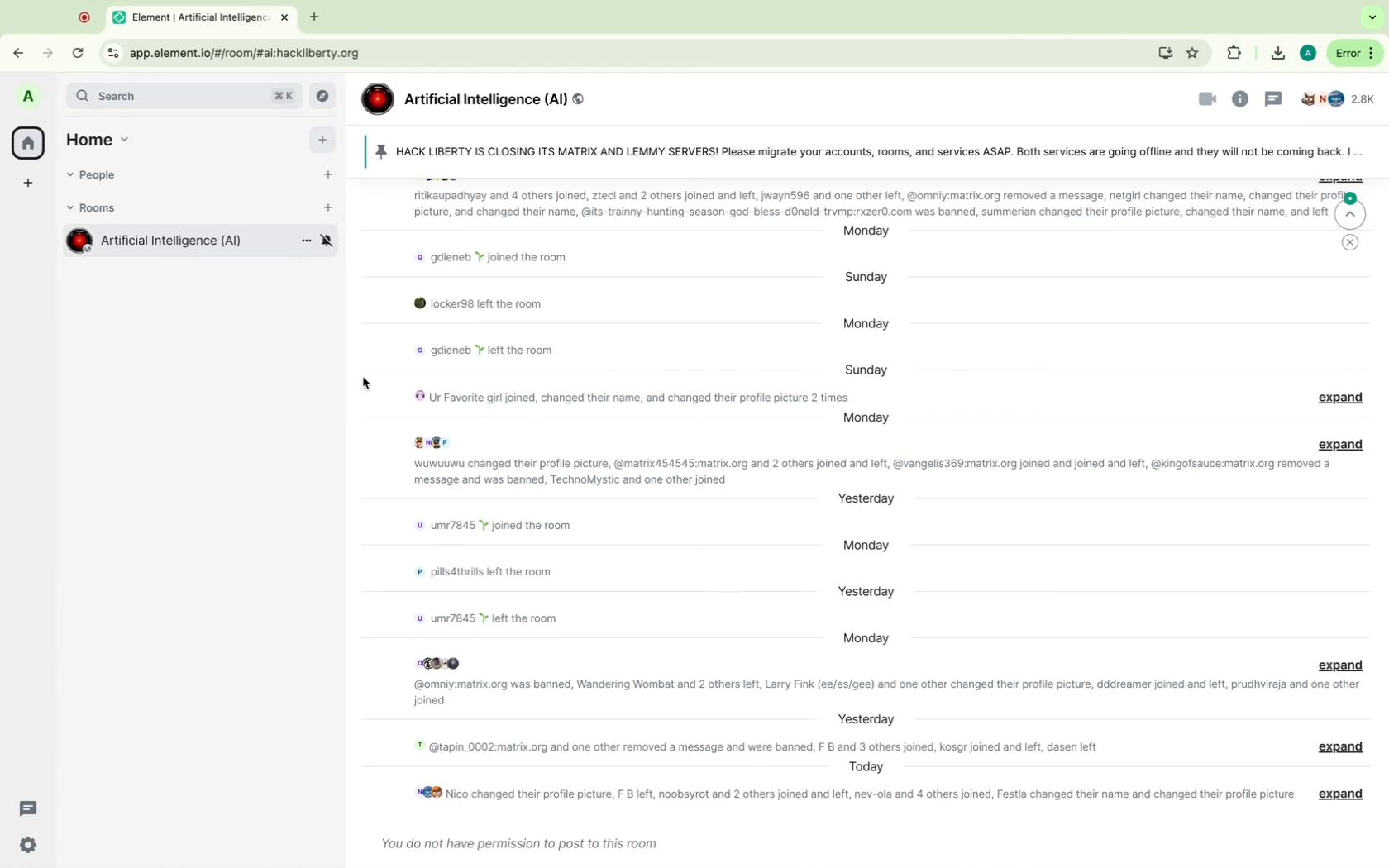 The width and height of the screenshot is (1389, 868). What do you see at coordinates (30, 96) in the screenshot?
I see `profile` at bounding box center [30, 96].